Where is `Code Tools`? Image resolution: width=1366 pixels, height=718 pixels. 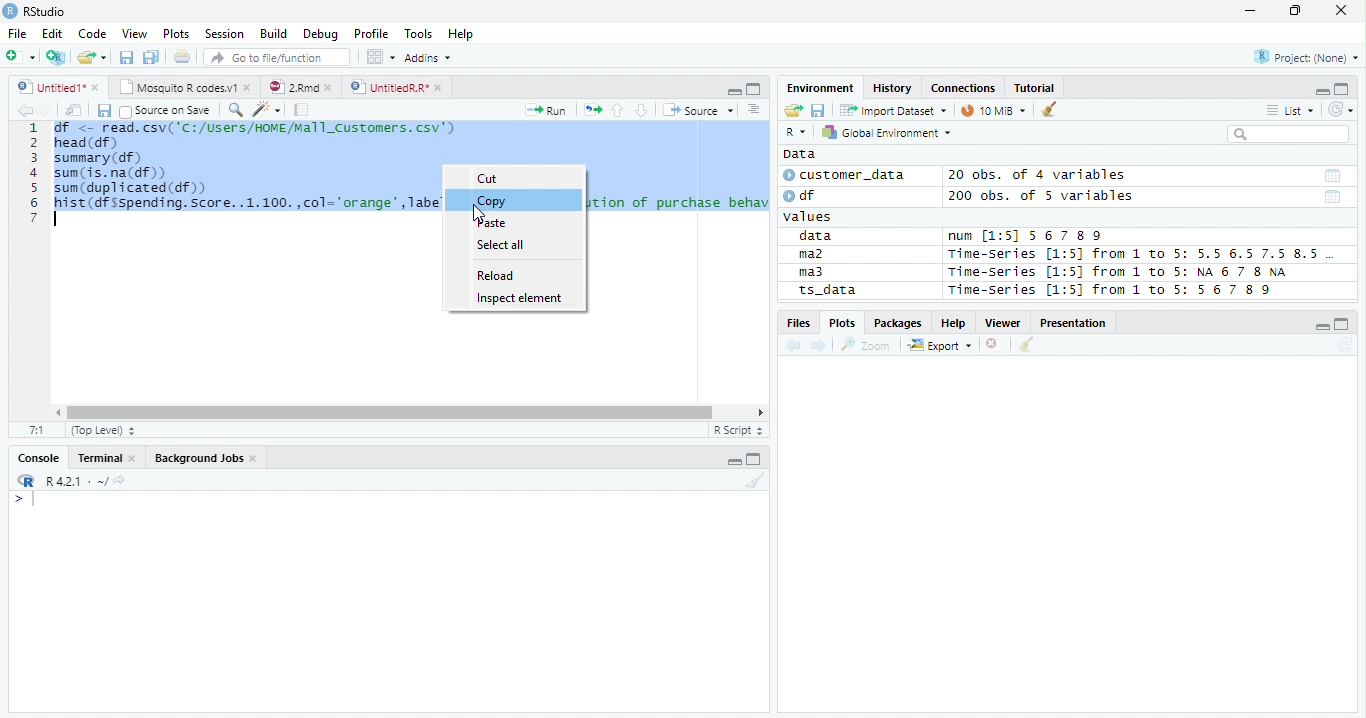
Code Tools is located at coordinates (266, 110).